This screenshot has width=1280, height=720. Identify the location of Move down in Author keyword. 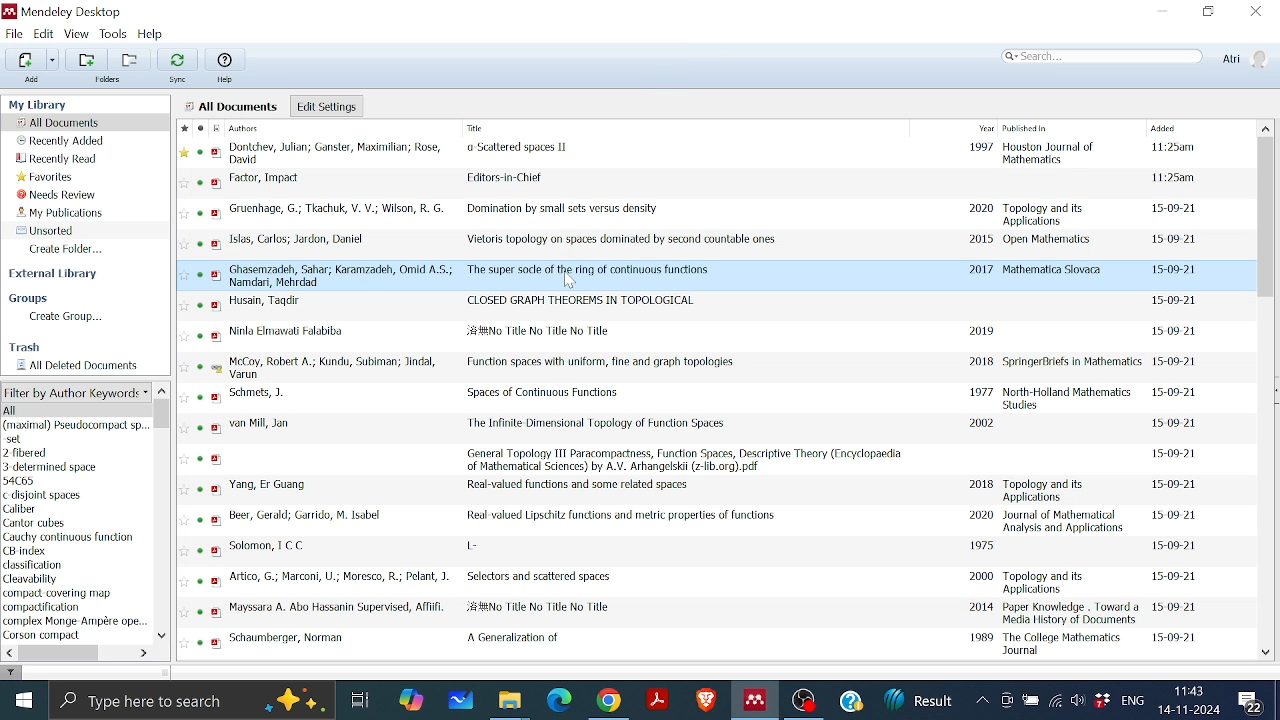
(161, 633).